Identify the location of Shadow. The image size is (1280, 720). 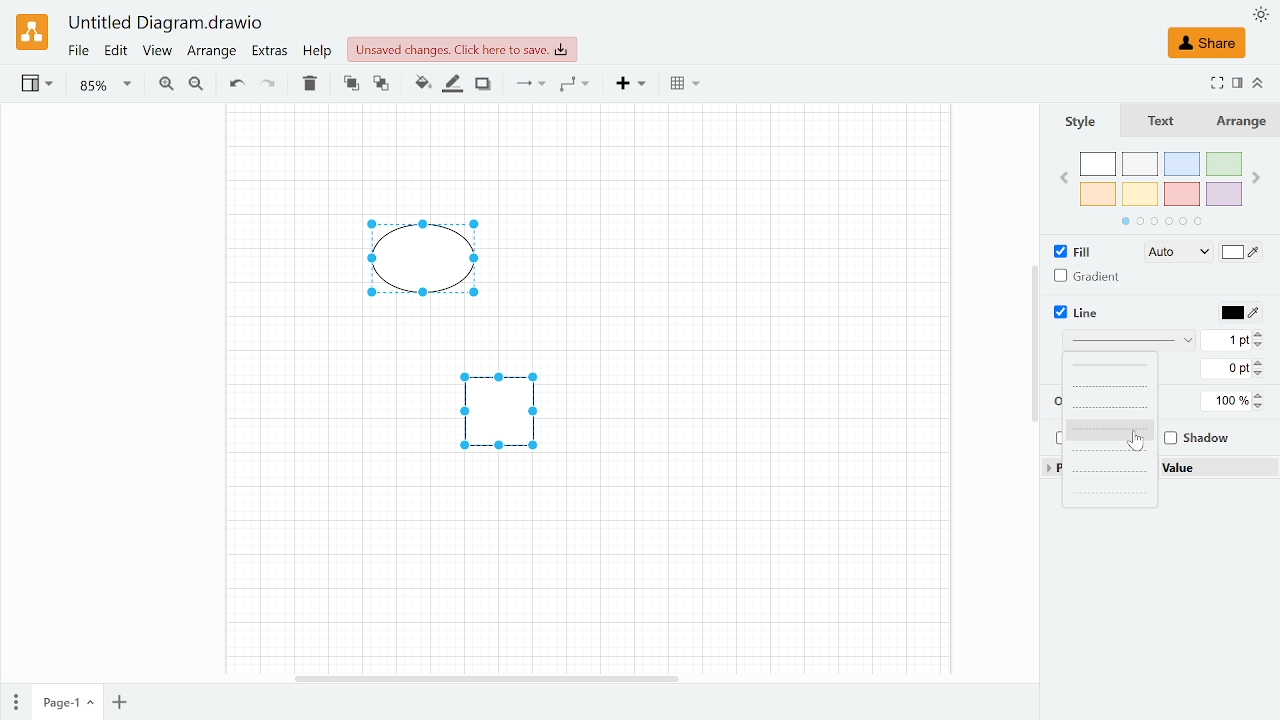
(1194, 440).